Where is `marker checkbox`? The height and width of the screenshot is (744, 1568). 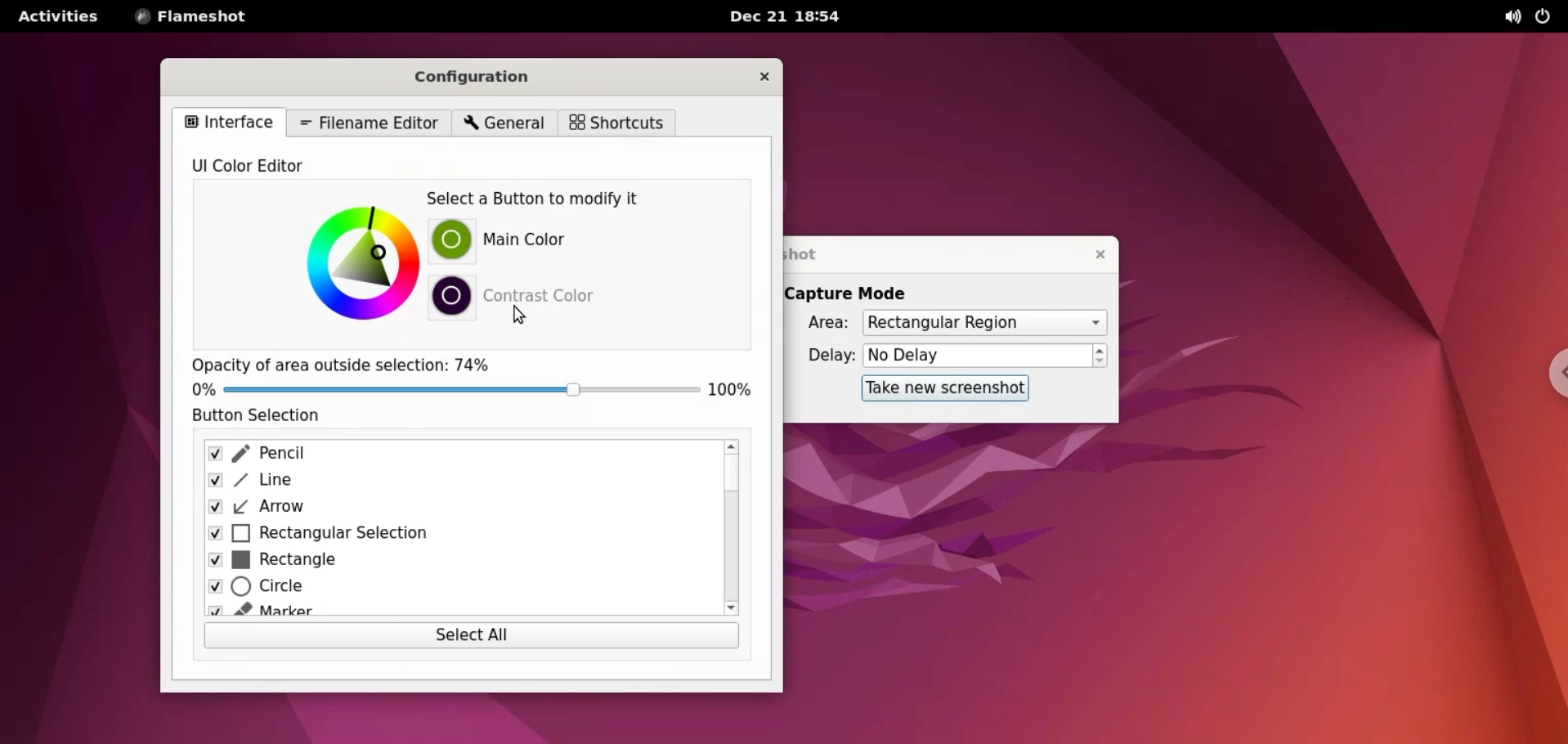 marker checkbox is located at coordinates (456, 612).